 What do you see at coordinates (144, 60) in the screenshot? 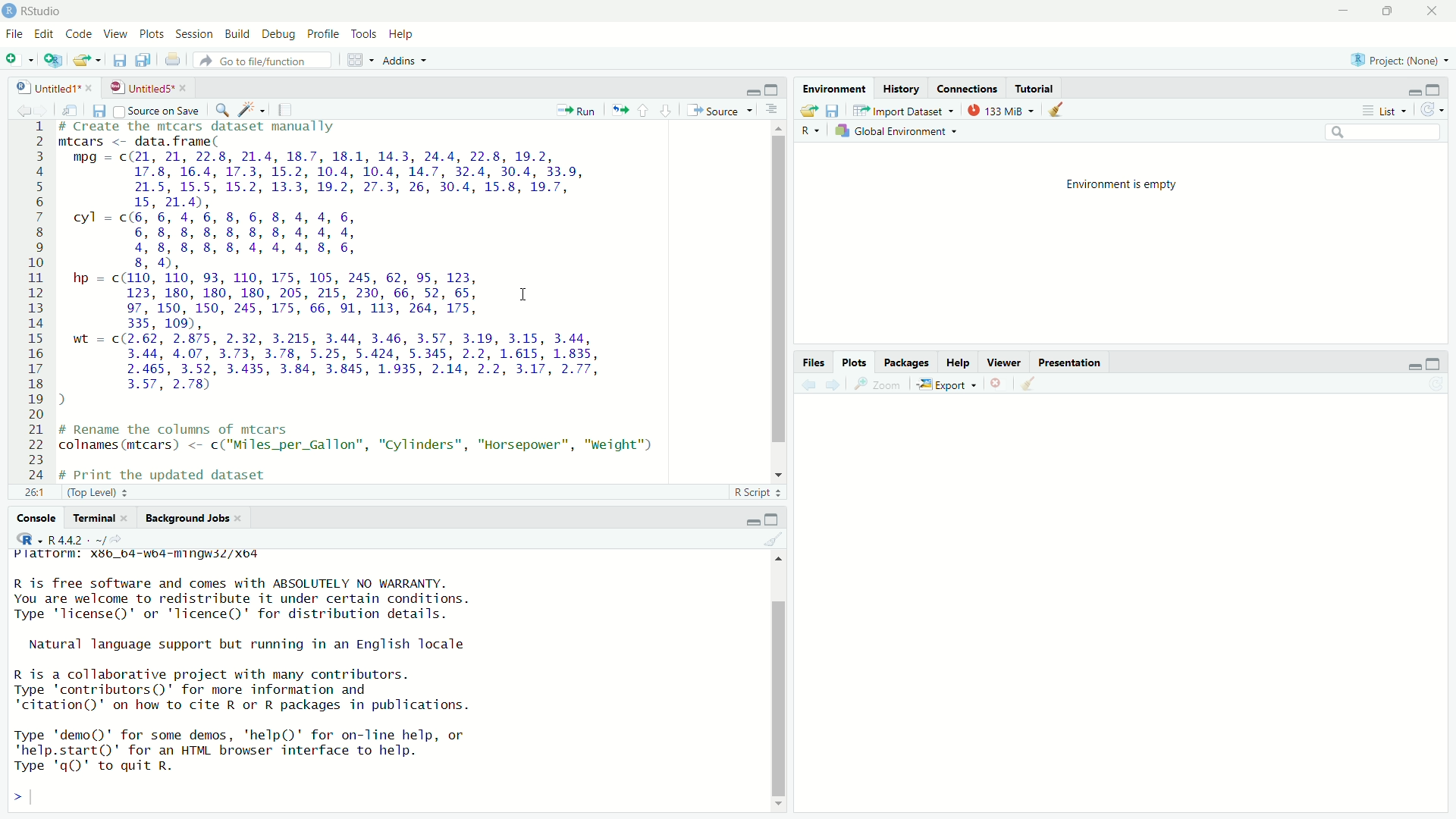
I see `copy` at bounding box center [144, 60].